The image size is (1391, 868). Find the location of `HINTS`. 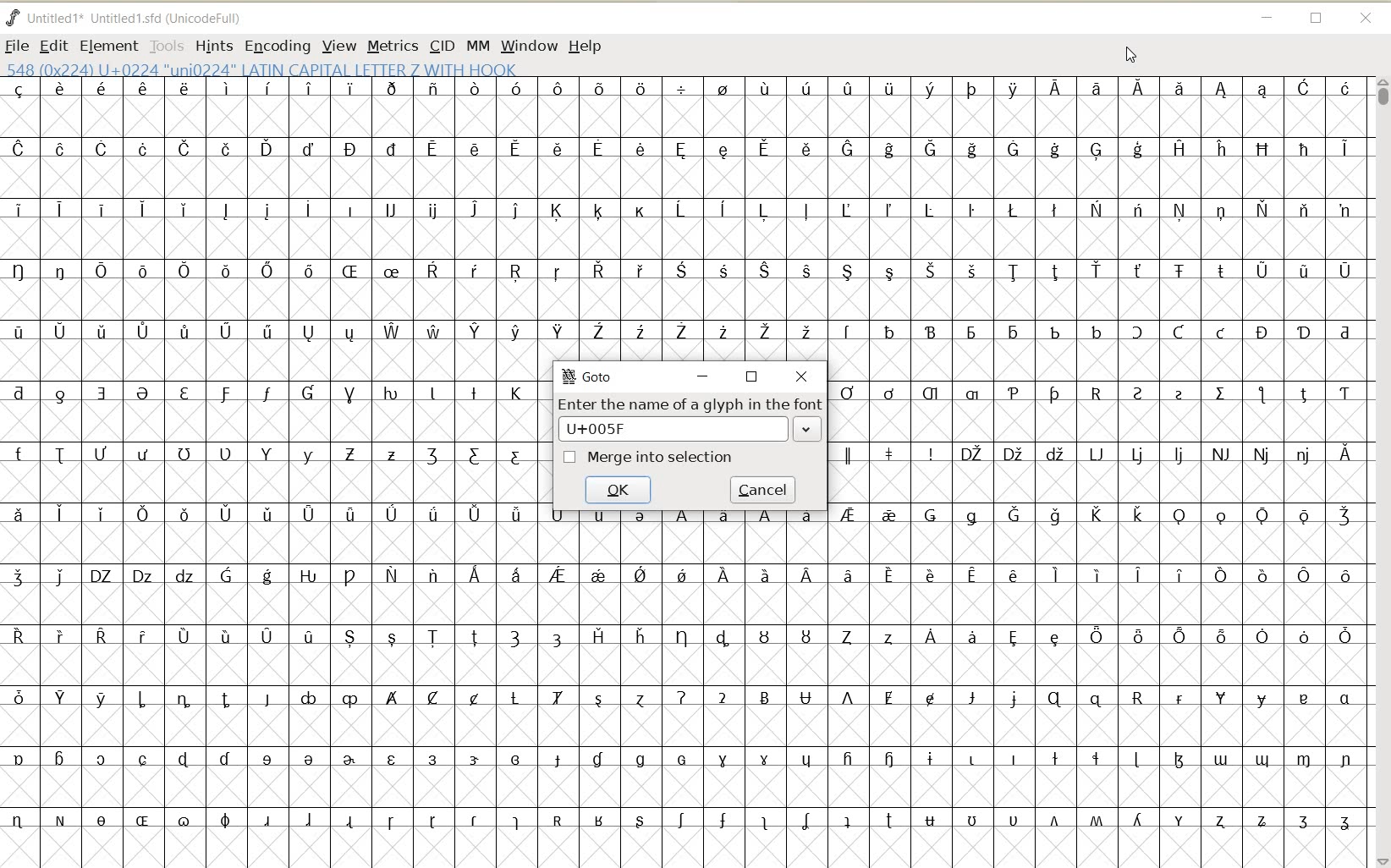

HINTS is located at coordinates (213, 46).